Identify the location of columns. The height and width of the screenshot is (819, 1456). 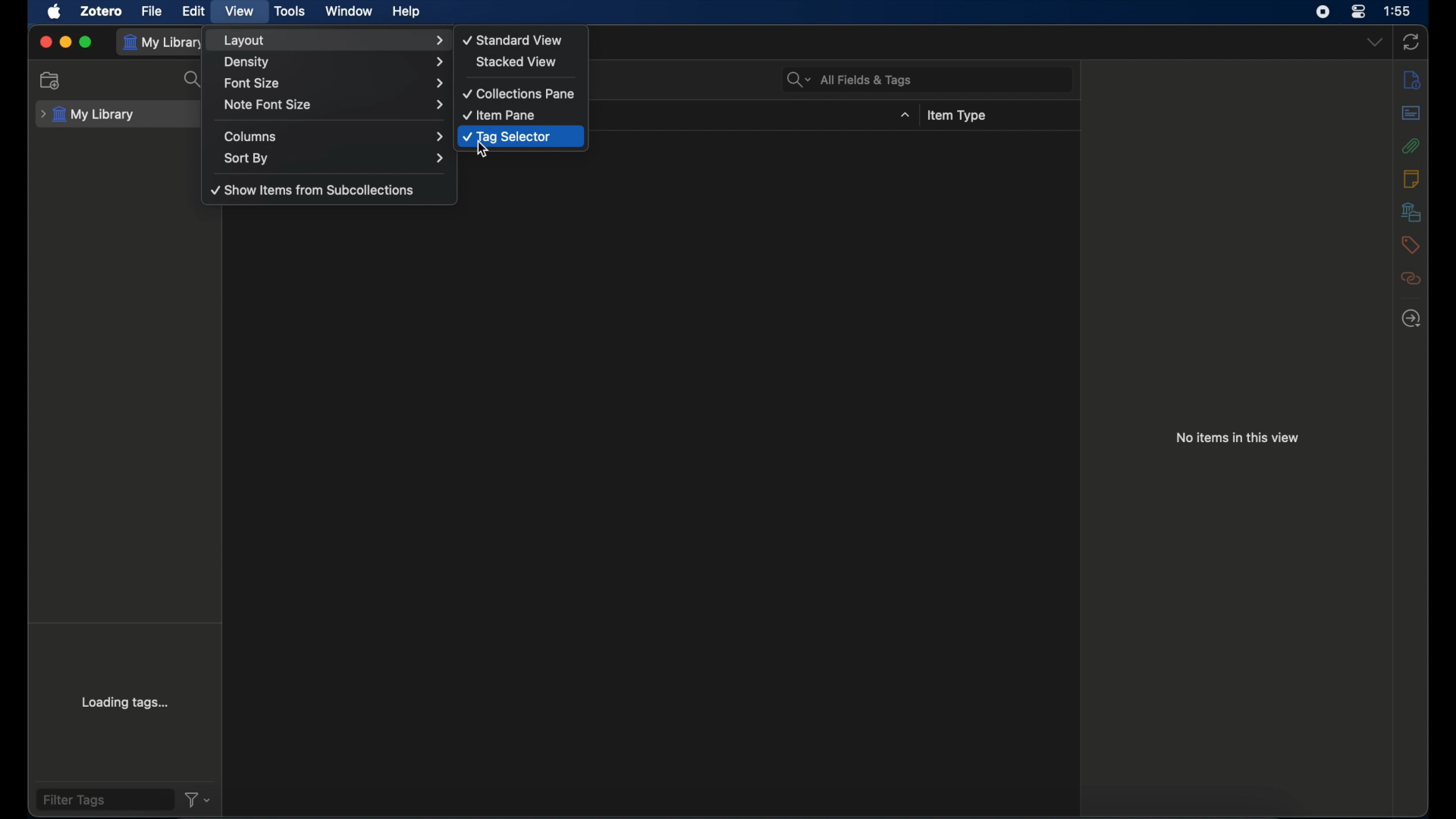
(335, 136).